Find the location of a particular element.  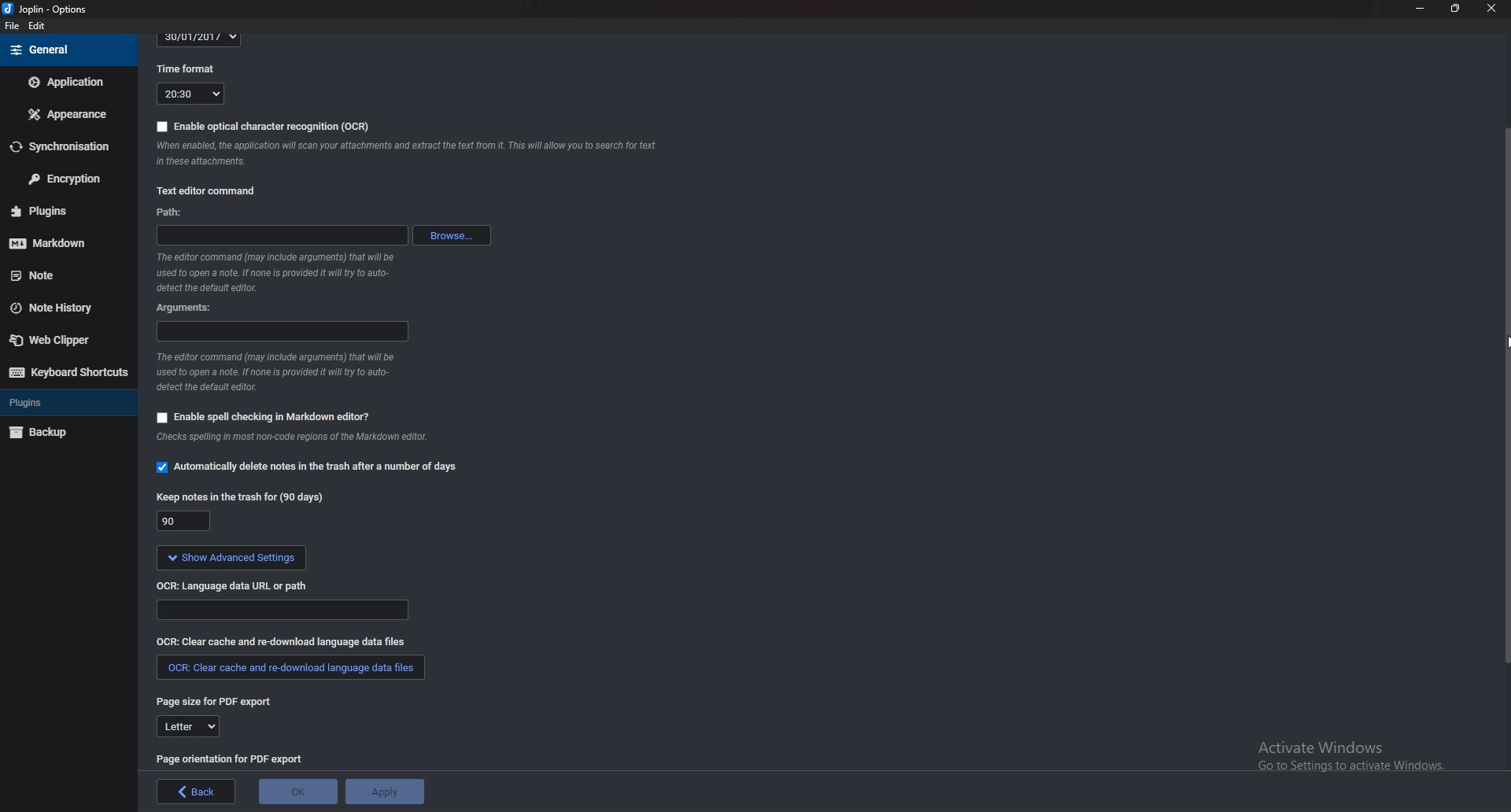

Resize is located at coordinates (1456, 8).